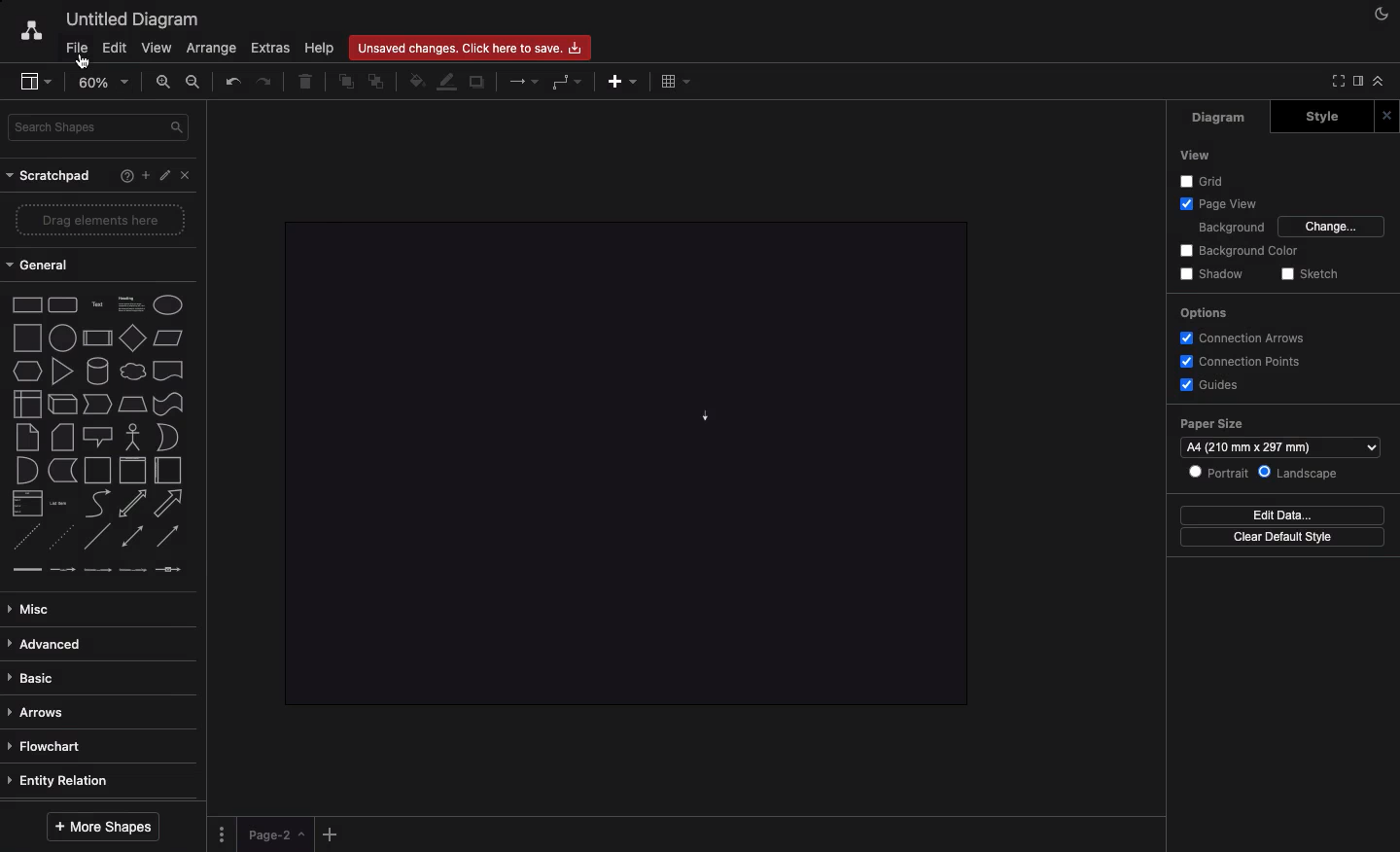 This screenshot has height=852, width=1400. Describe the element at coordinates (146, 173) in the screenshot. I see `Add` at that location.